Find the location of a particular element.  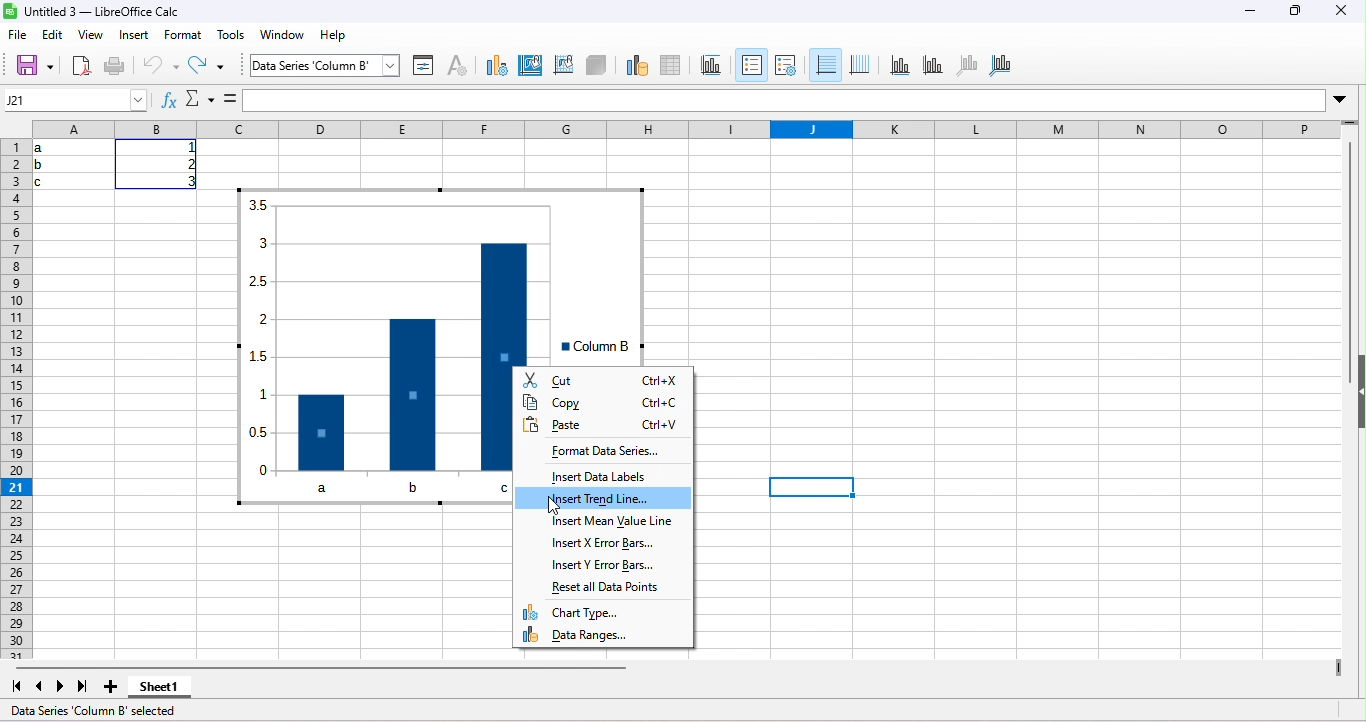

insert mean value line is located at coordinates (611, 525).